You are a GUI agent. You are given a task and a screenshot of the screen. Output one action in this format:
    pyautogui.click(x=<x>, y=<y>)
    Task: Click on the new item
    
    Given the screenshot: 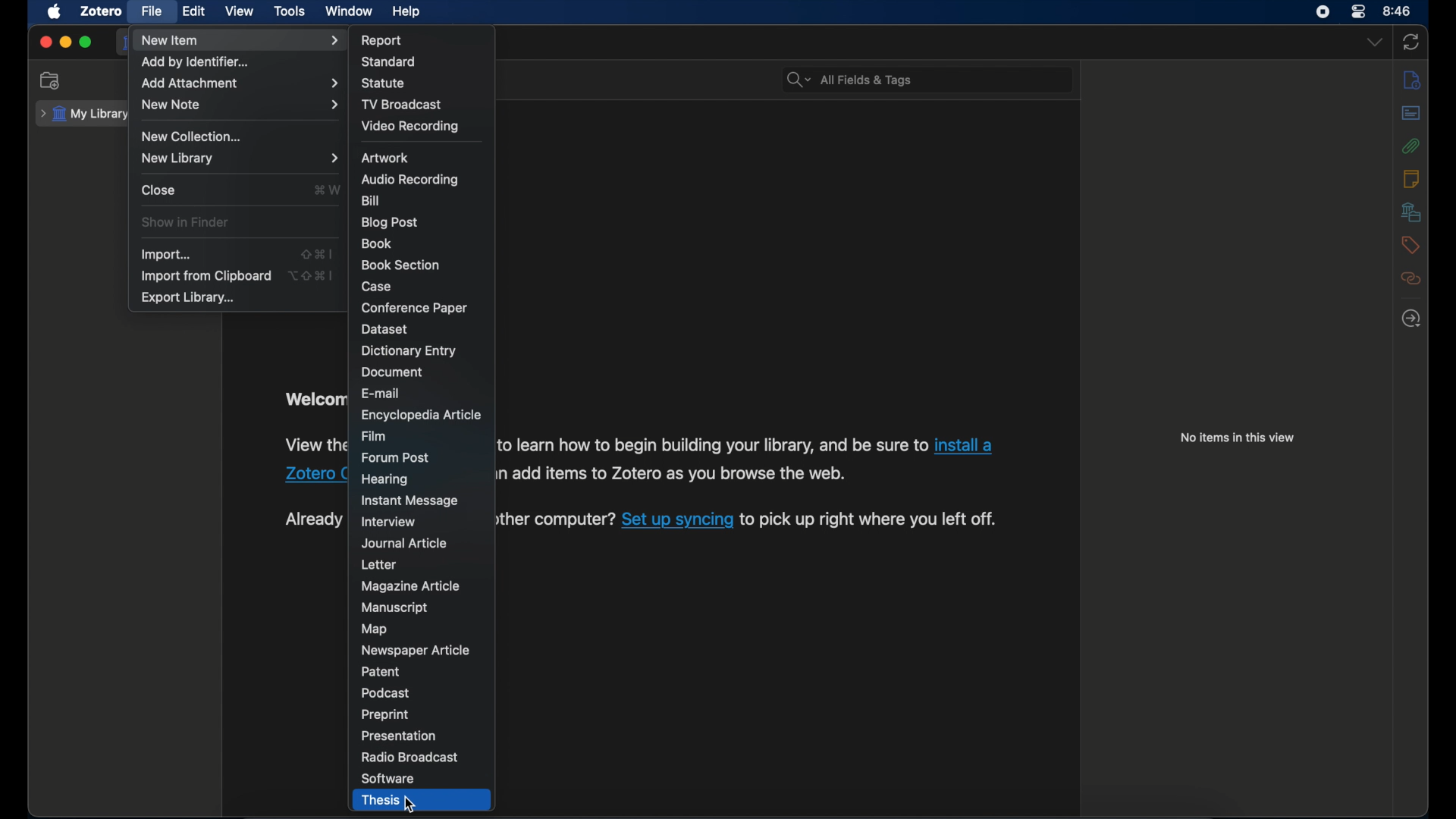 What is the action you would take?
    pyautogui.click(x=240, y=42)
    